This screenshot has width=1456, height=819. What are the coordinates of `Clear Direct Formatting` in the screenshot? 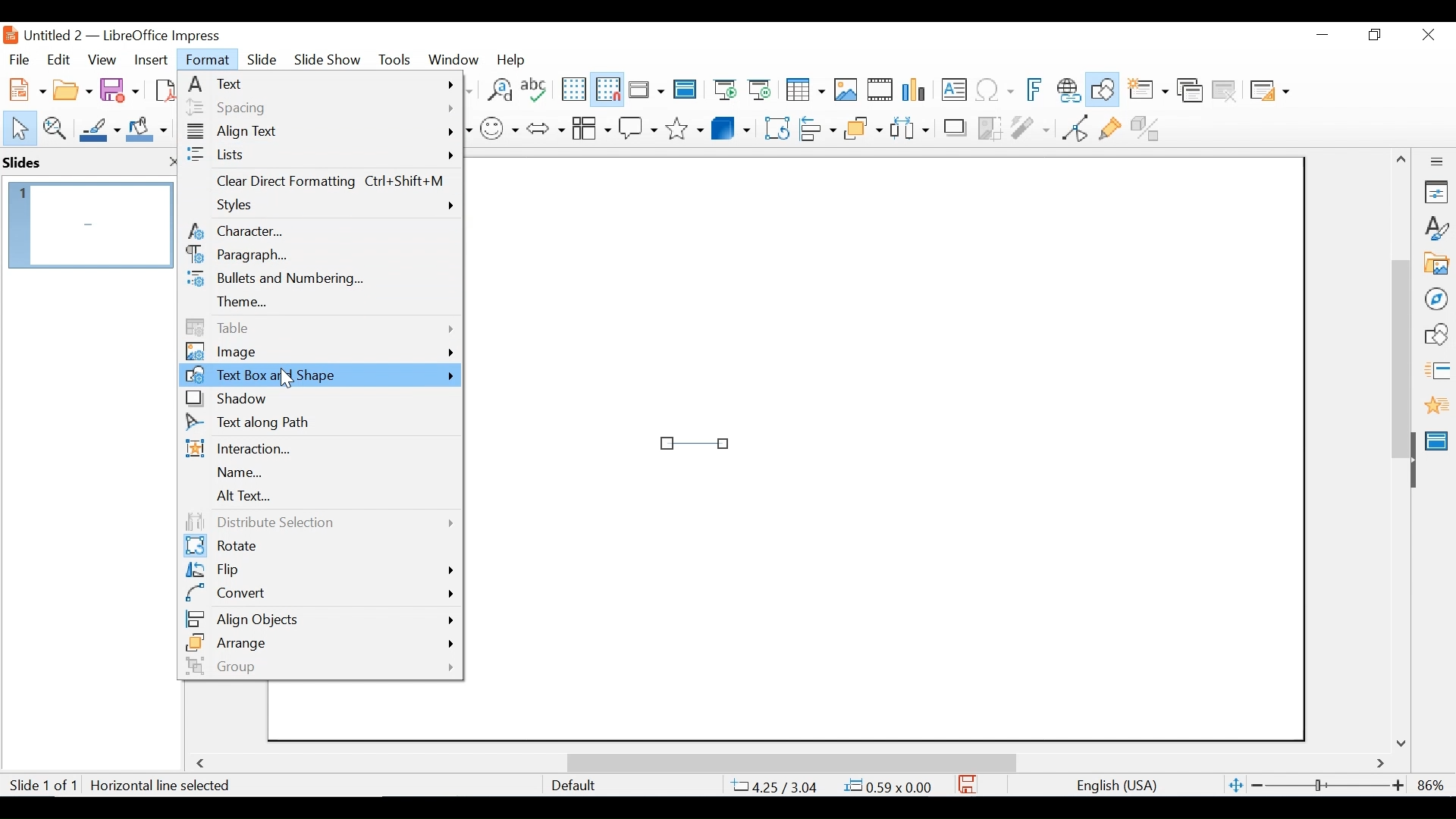 It's located at (320, 184).